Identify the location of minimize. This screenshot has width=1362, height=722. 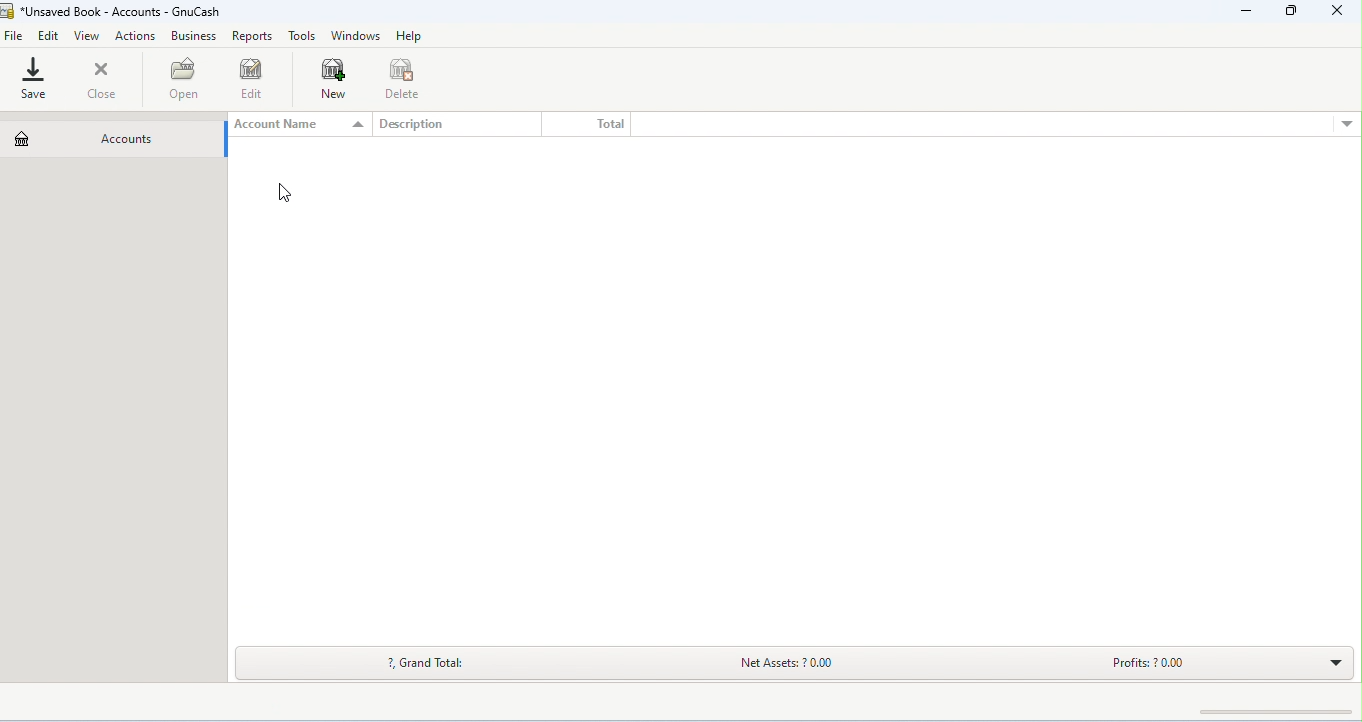
(1247, 11).